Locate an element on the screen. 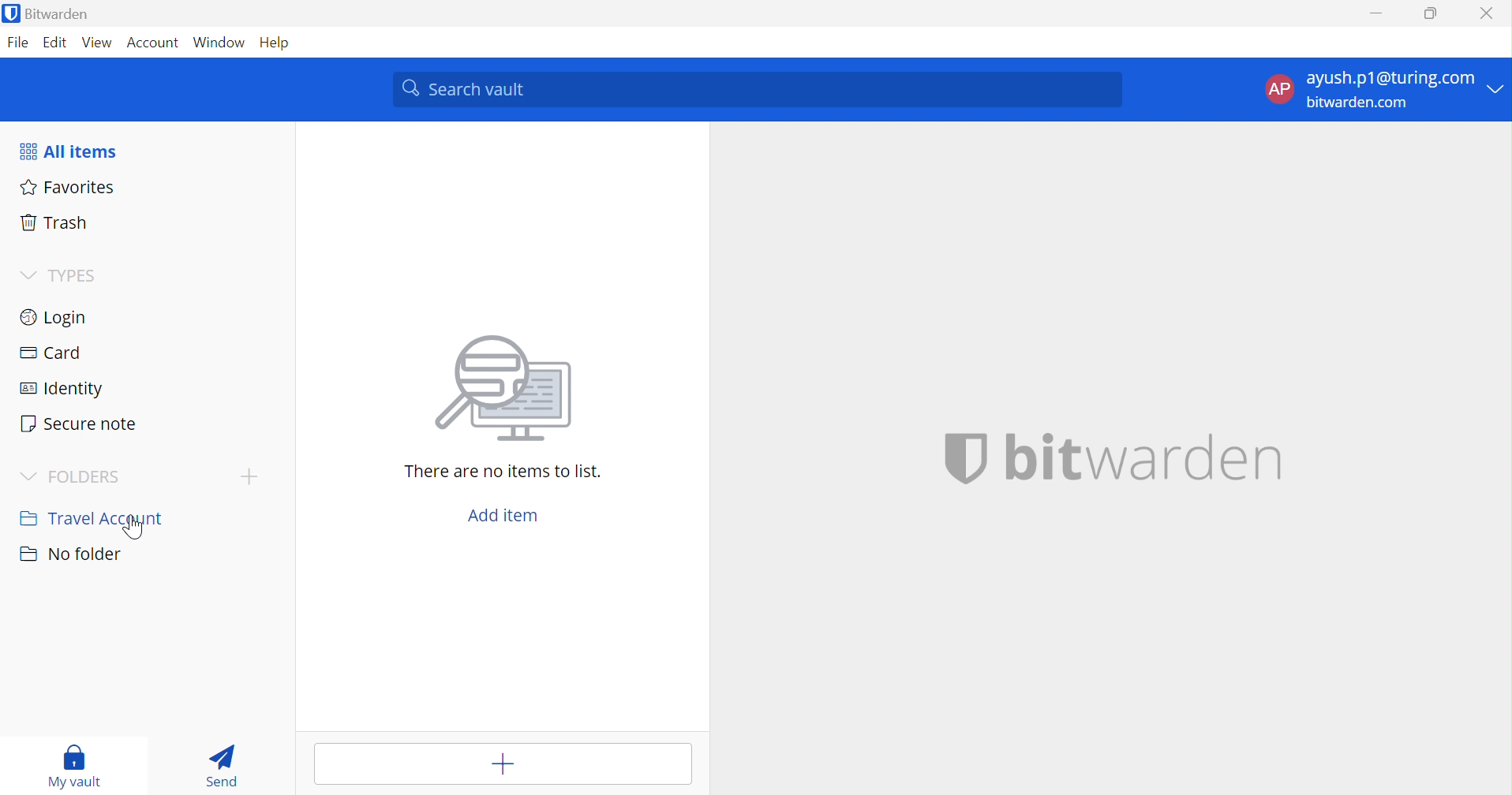 The image size is (1512, 795). Travel Account is located at coordinates (90, 517).